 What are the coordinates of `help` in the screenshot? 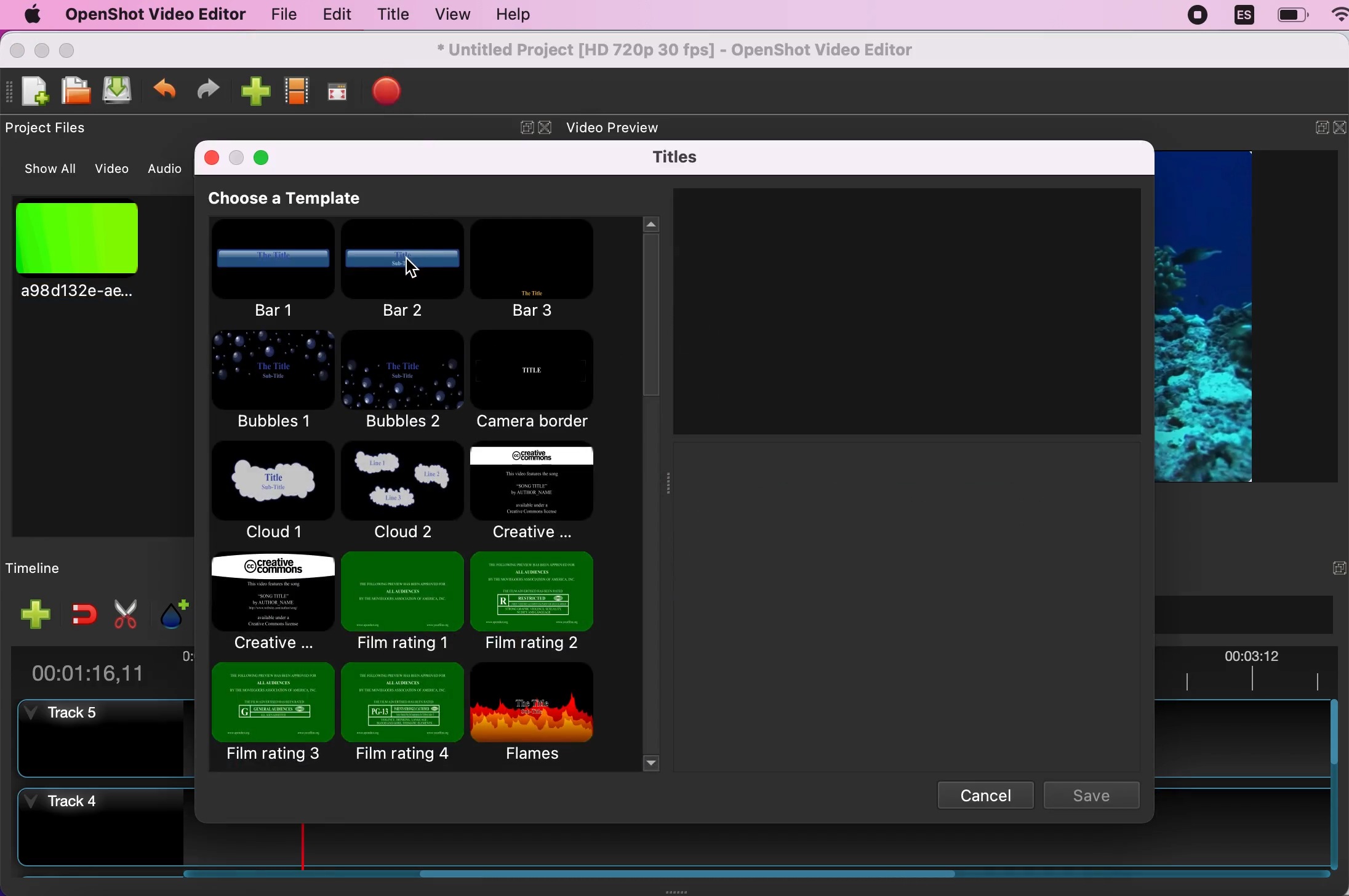 It's located at (524, 15).